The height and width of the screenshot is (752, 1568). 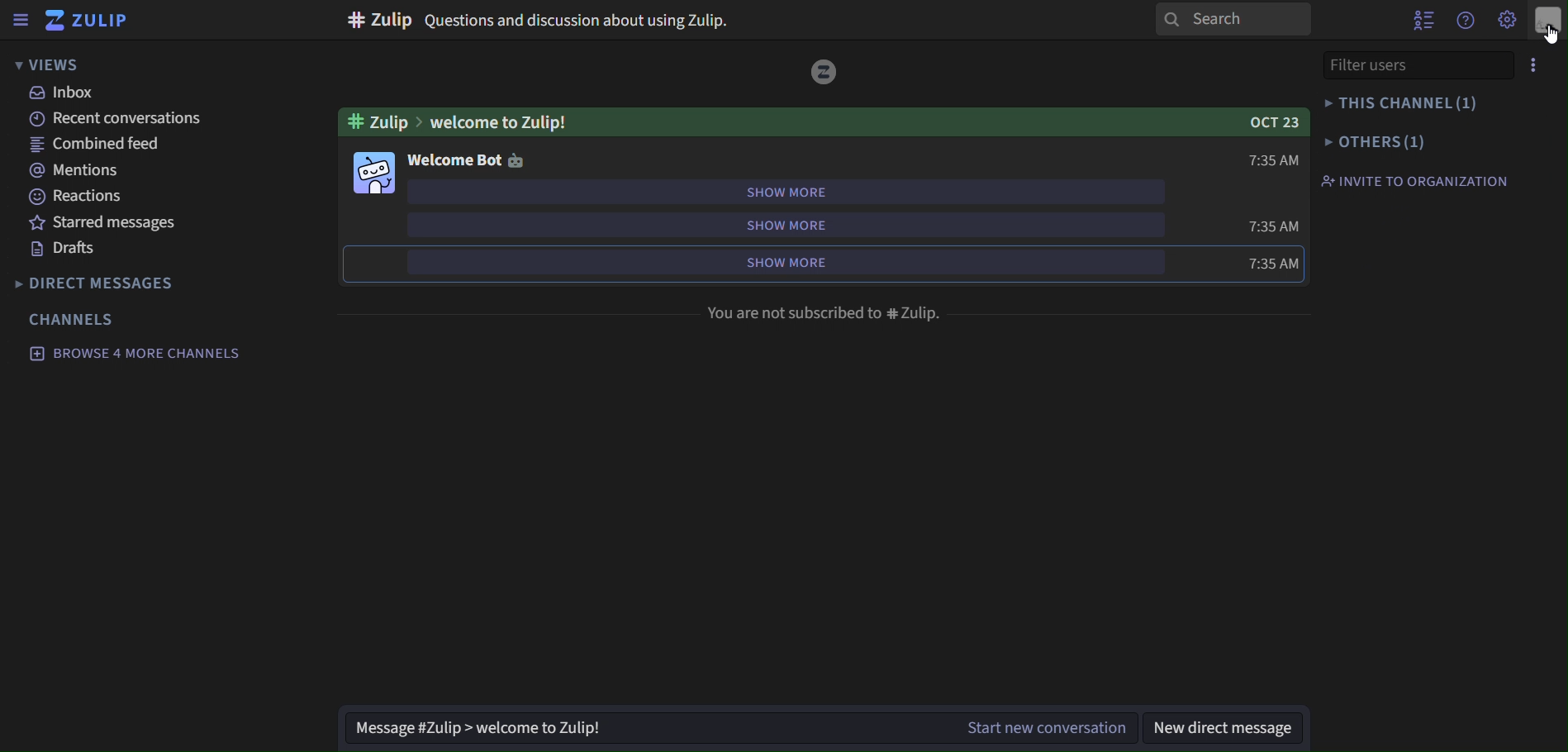 What do you see at coordinates (75, 319) in the screenshot?
I see `channels` at bounding box center [75, 319].